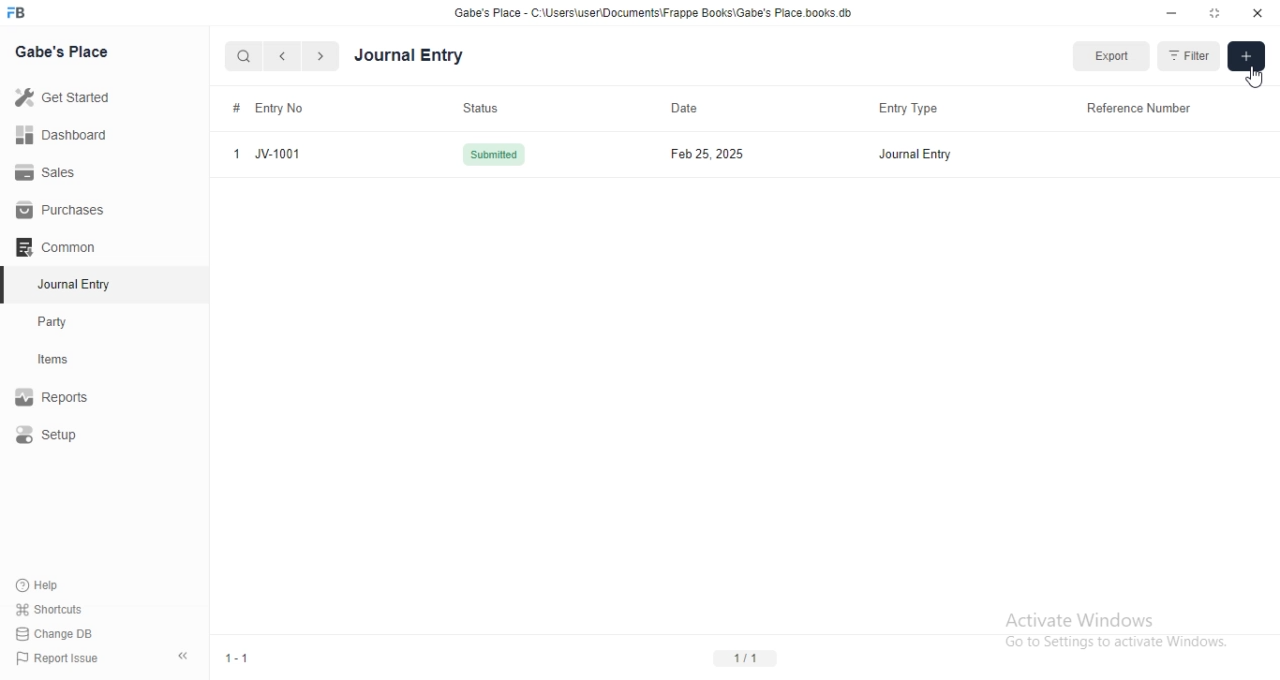  I want to click on Purchases, so click(58, 210).